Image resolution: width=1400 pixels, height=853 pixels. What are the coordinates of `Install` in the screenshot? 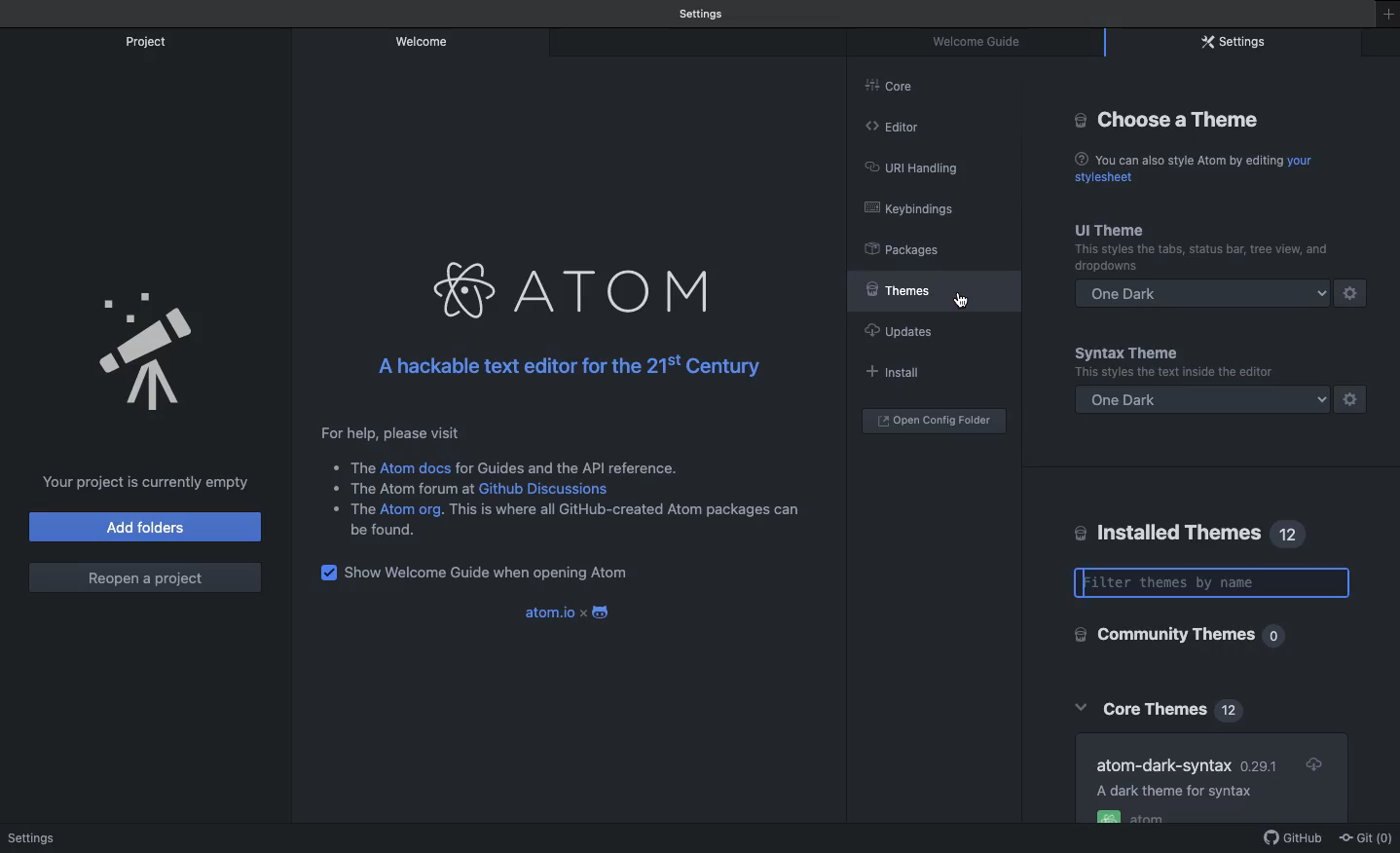 It's located at (899, 371).